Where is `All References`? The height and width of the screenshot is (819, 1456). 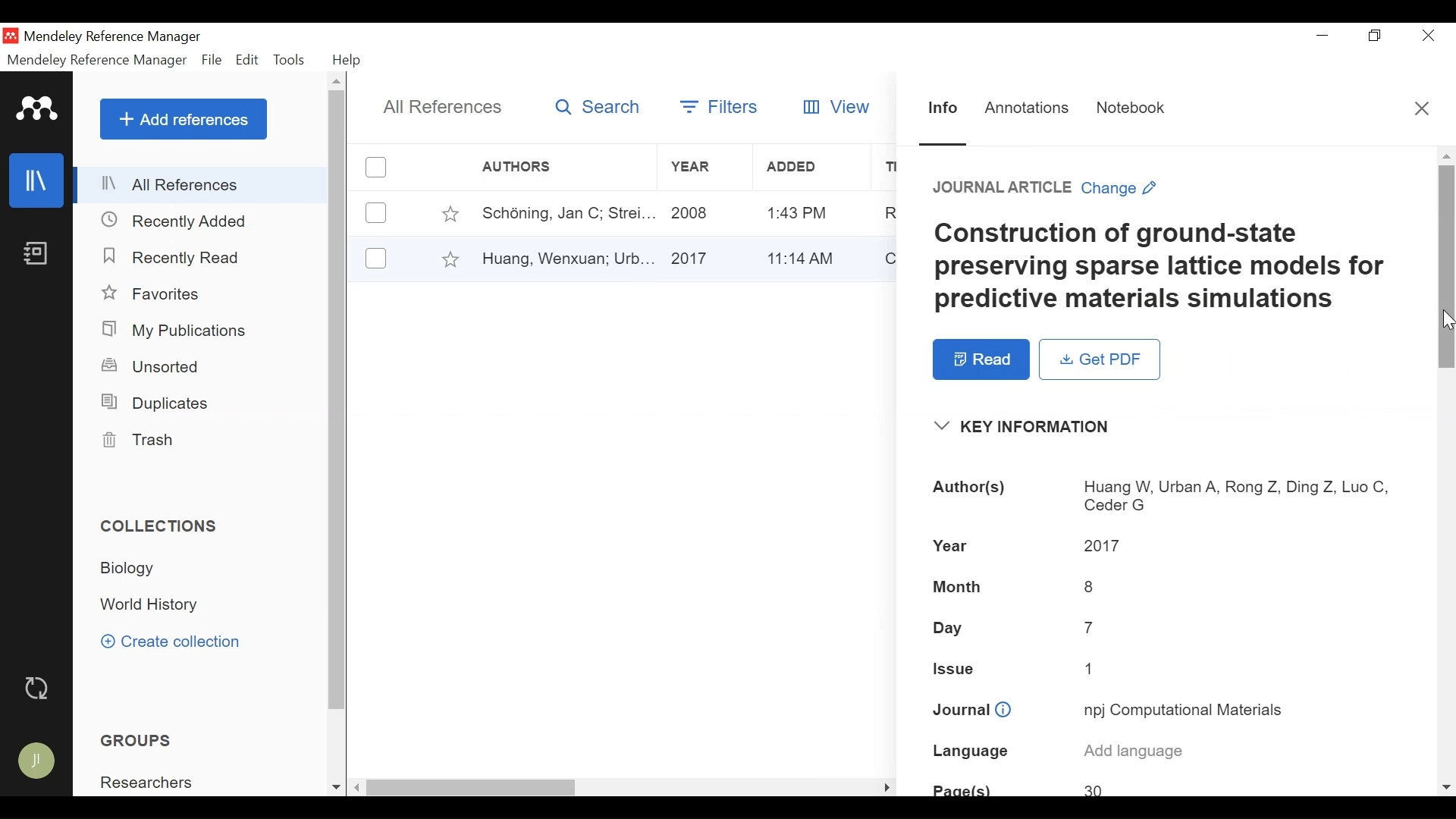 All References is located at coordinates (202, 184).